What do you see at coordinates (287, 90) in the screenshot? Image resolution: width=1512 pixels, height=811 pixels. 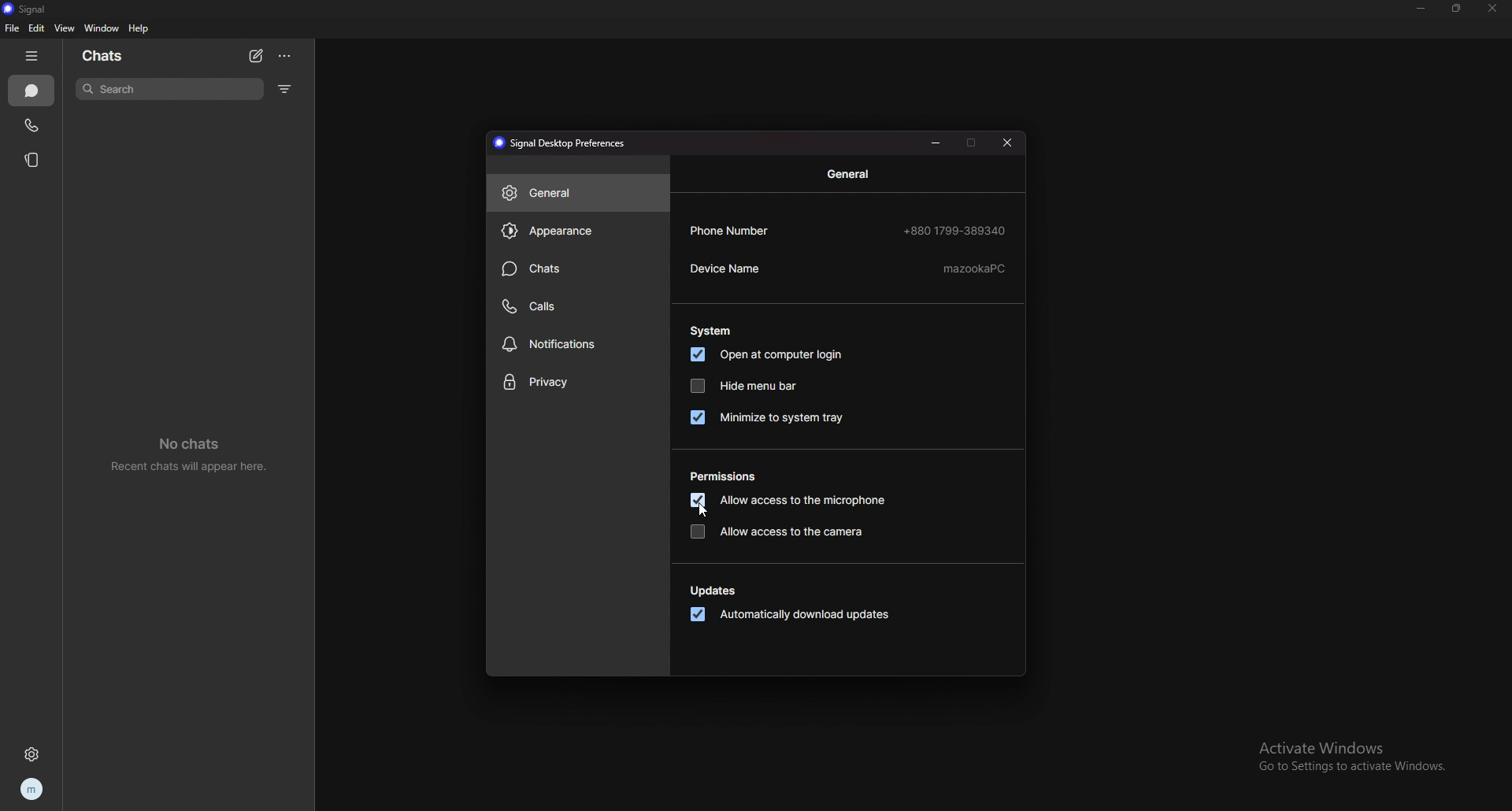 I see `filter` at bounding box center [287, 90].